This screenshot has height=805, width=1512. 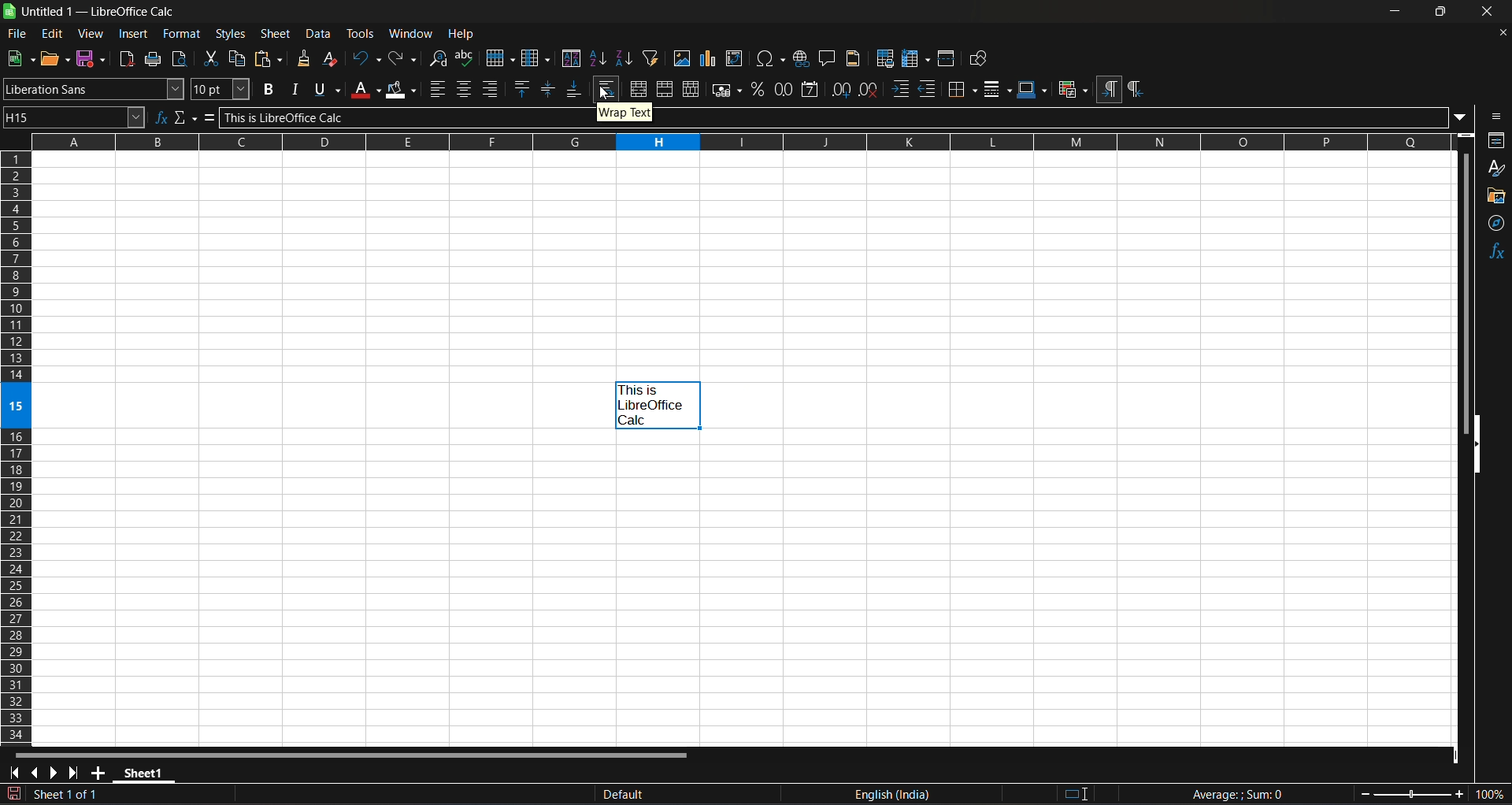 What do you see at coordinates (1466, 297) in the screenshot?
I see `vertical scroll bar` at bounding box center [1466, 297].